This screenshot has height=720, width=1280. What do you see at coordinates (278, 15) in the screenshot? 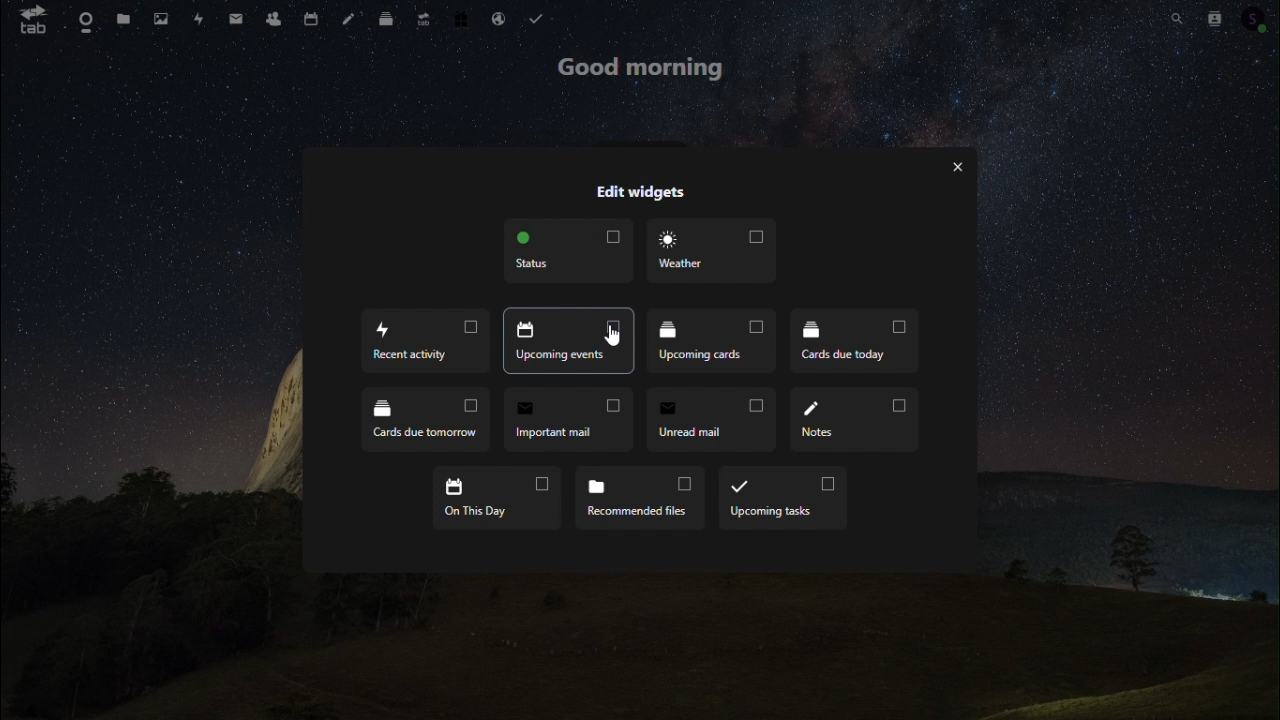
I see `Contacts` at bounding box center [278, 15].